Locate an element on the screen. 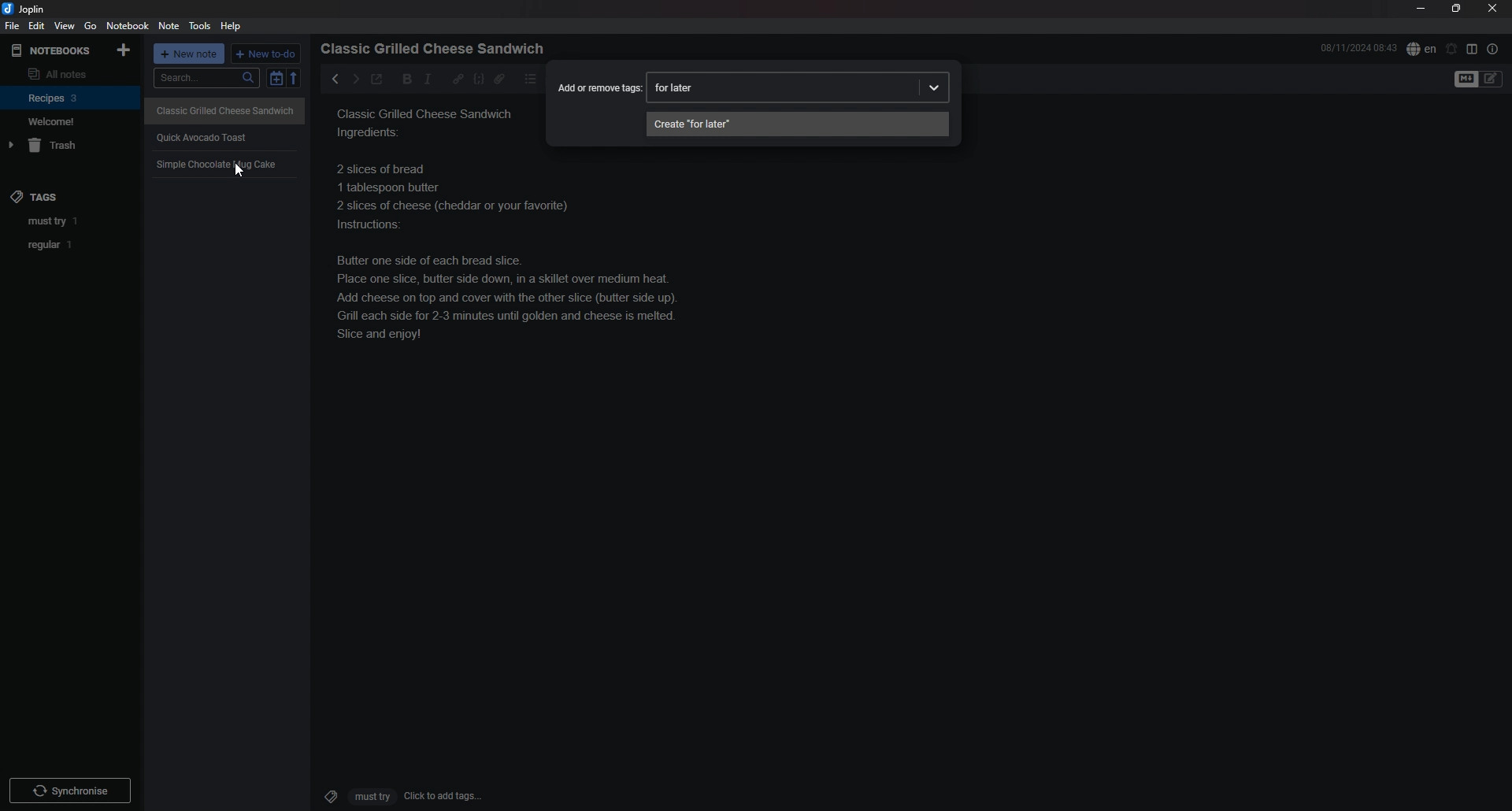 The image size is (1512, 811). set alarm is located at coordinates (1452, 48).